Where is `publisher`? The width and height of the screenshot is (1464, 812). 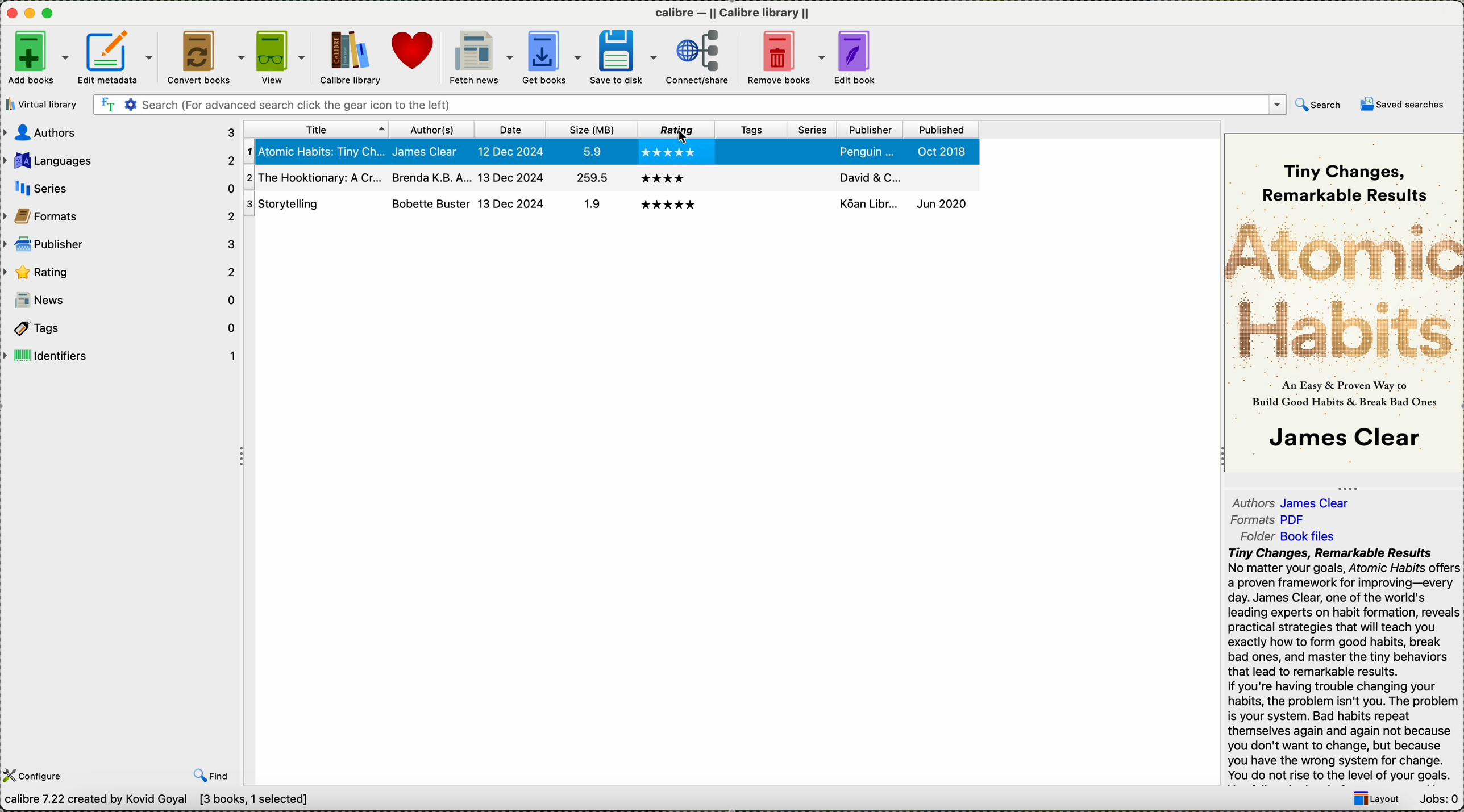 publisher is located at coordinates (870, 128).